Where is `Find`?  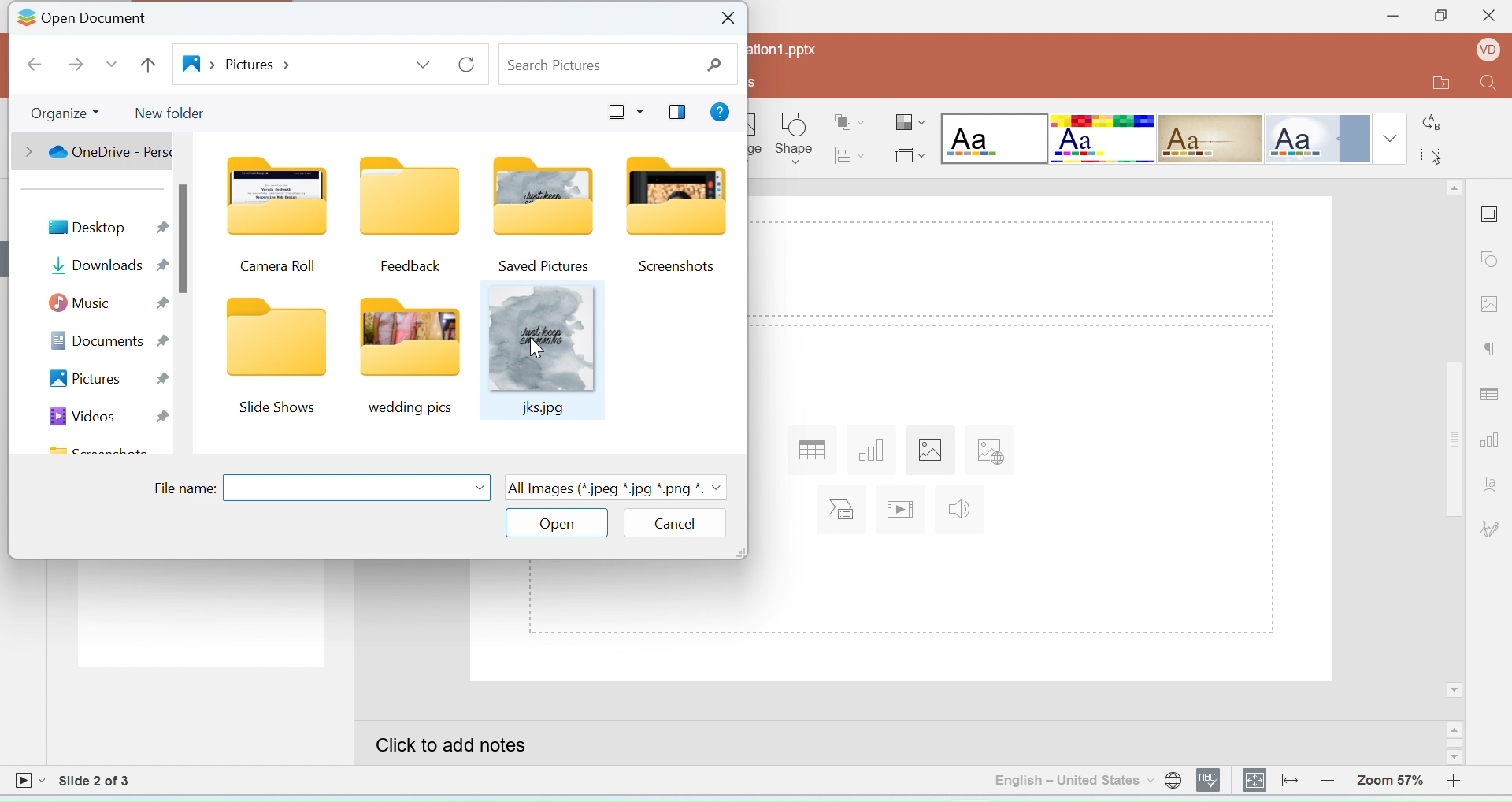
Find is located at coordinates (1489, 87).